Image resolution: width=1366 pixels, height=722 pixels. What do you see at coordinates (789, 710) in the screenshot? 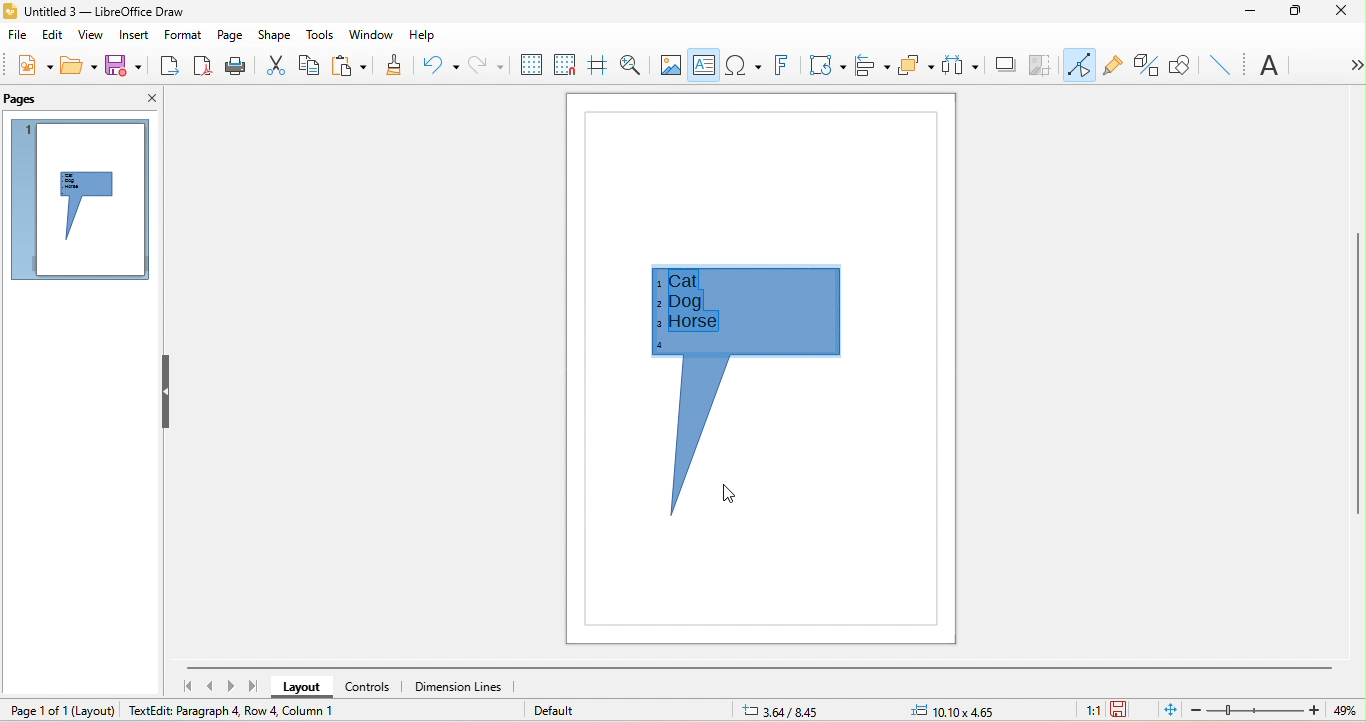
I see `3.64/8.45` at bounding box center [789, 710].